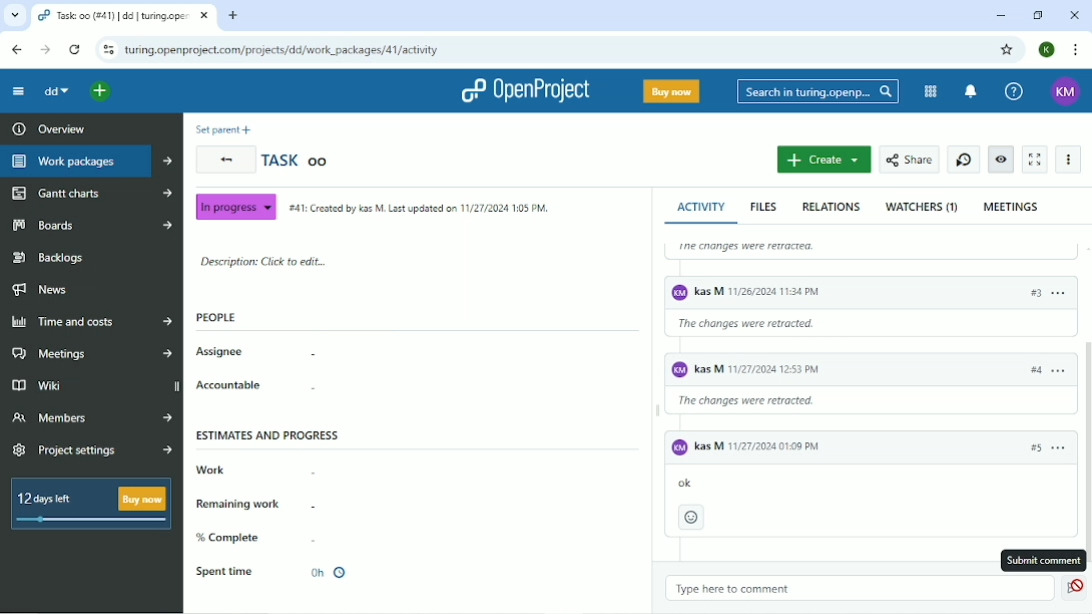 This screenshot has width=1092, height=614. Describe the element at coordinates (16, 50) in the screenshot. I see `Back` at that location.